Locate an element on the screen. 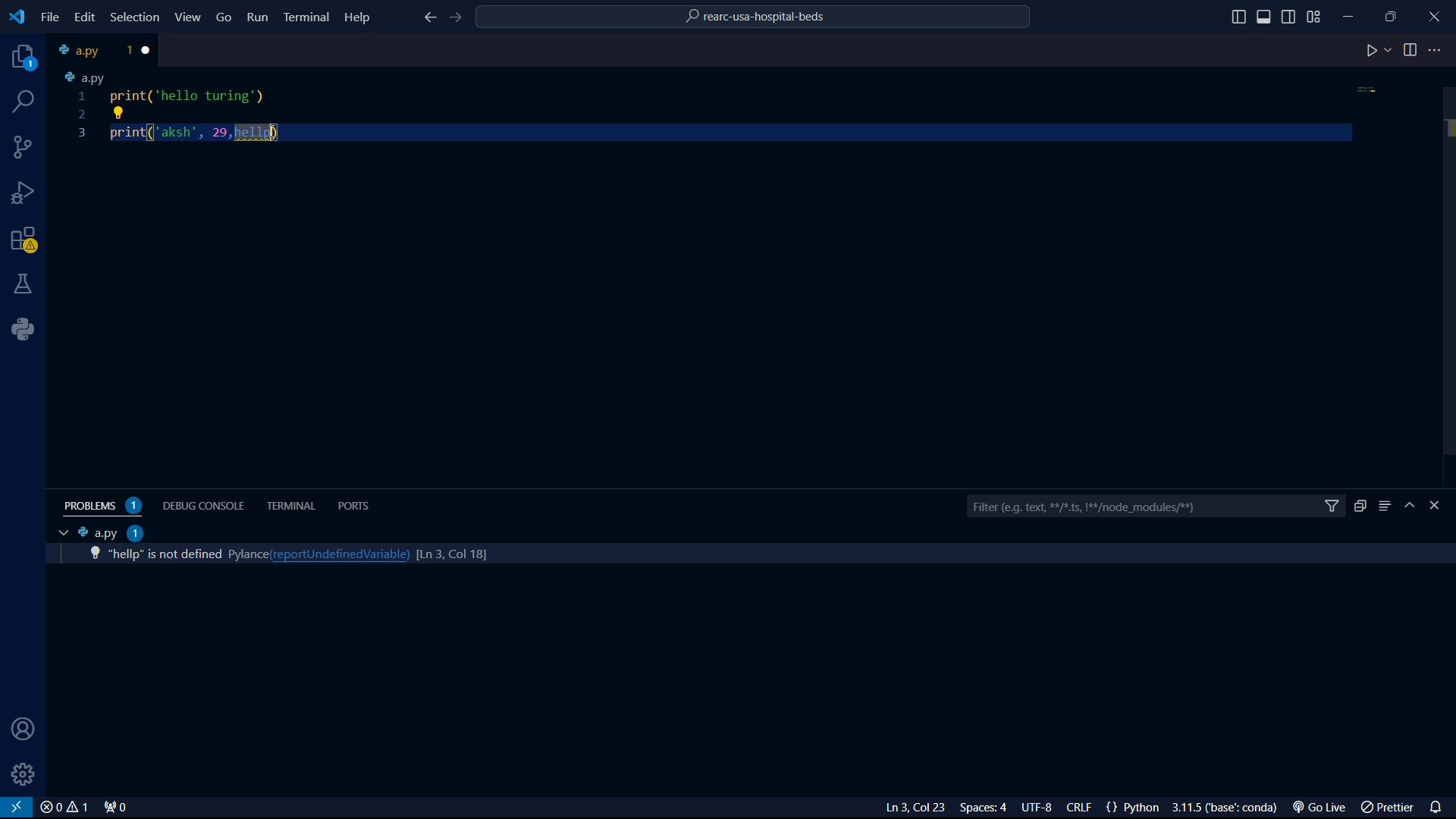 The width and height of the screenshot is (1456, 819). CRLF is located at coordinates (1082, 808).